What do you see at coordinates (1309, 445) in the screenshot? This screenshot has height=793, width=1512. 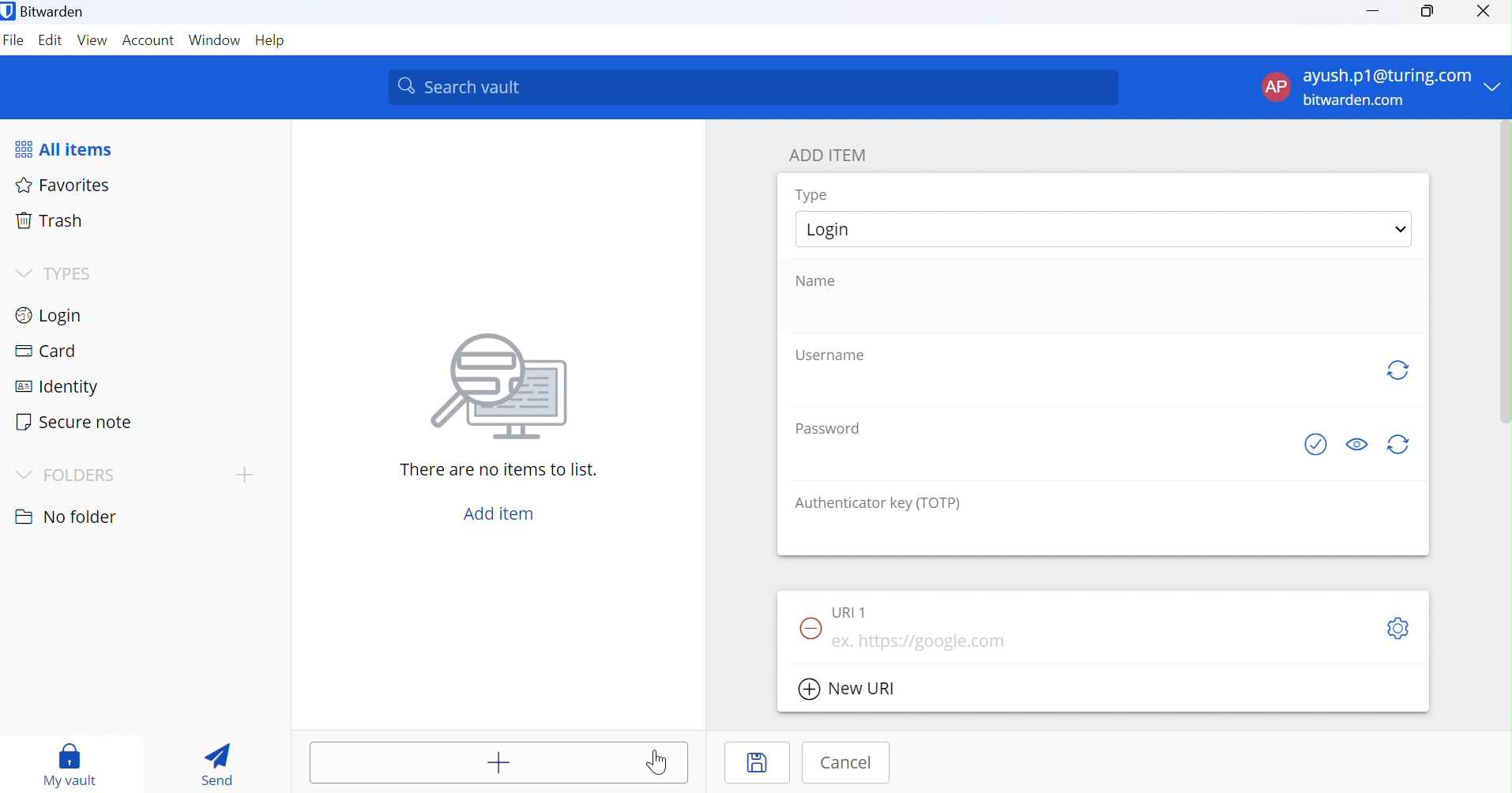 I see `Check if password has been exposed` at bounding box center [1309, 445].